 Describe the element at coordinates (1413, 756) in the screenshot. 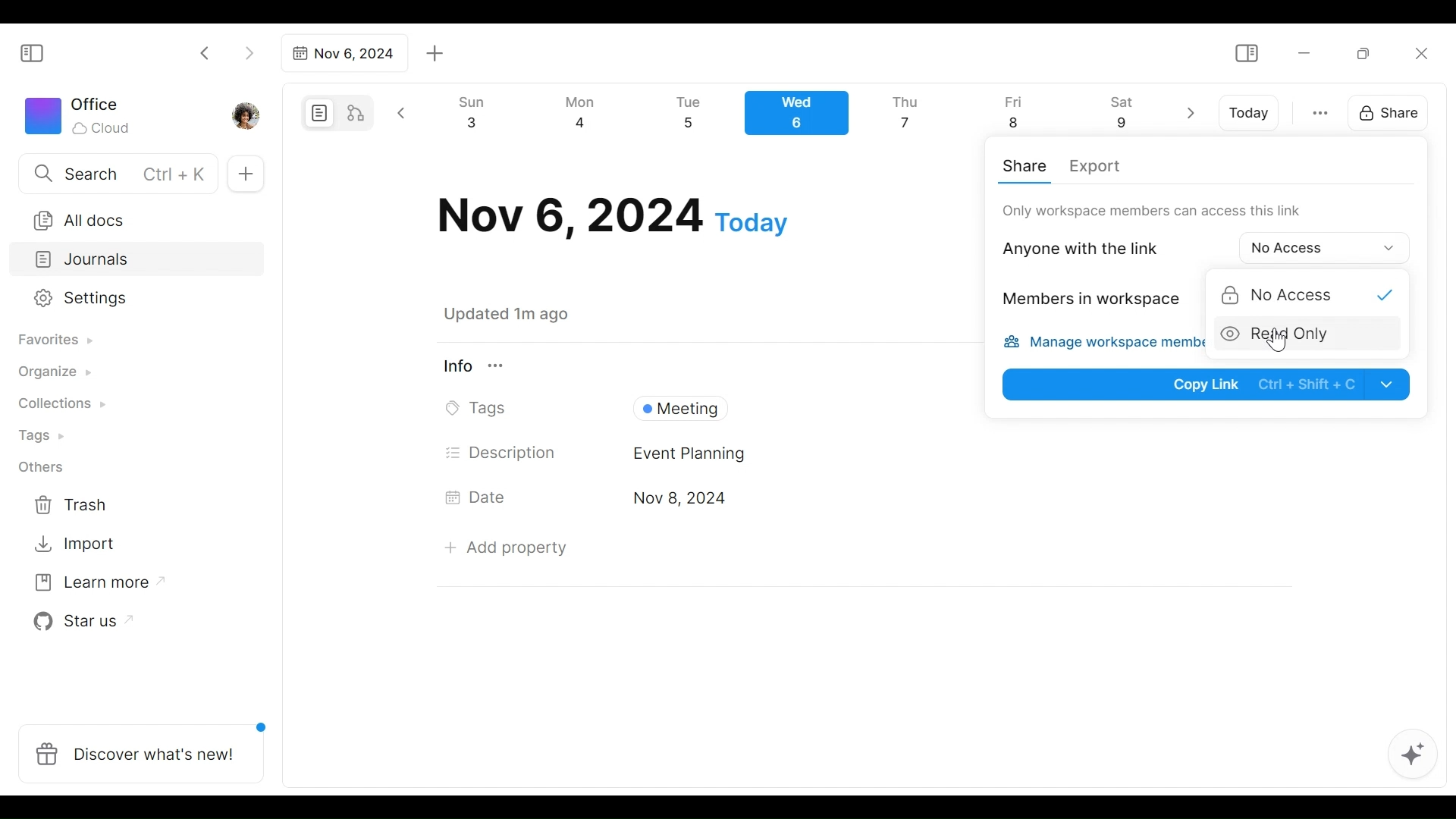

I see `AFFiNE AI` at that location.